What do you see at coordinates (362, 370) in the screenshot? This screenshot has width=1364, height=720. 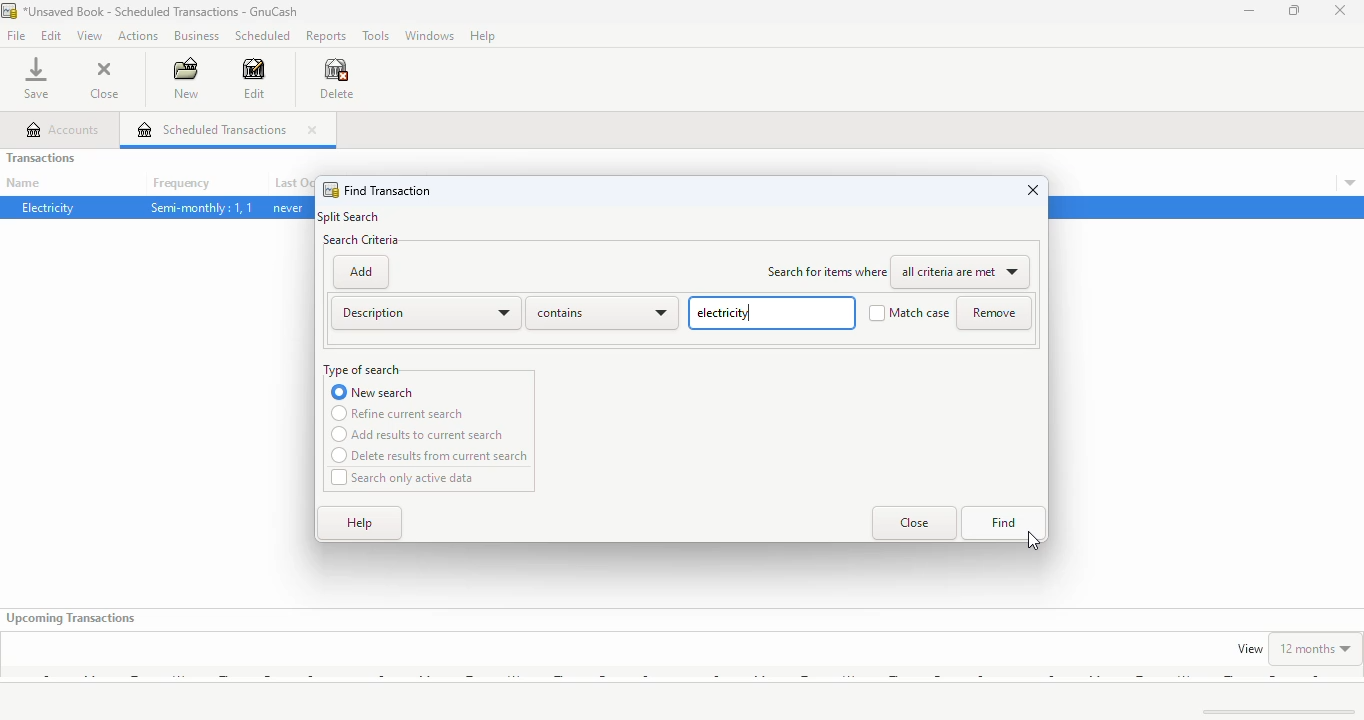 I see `type of search` at bounding box center [362, 370].